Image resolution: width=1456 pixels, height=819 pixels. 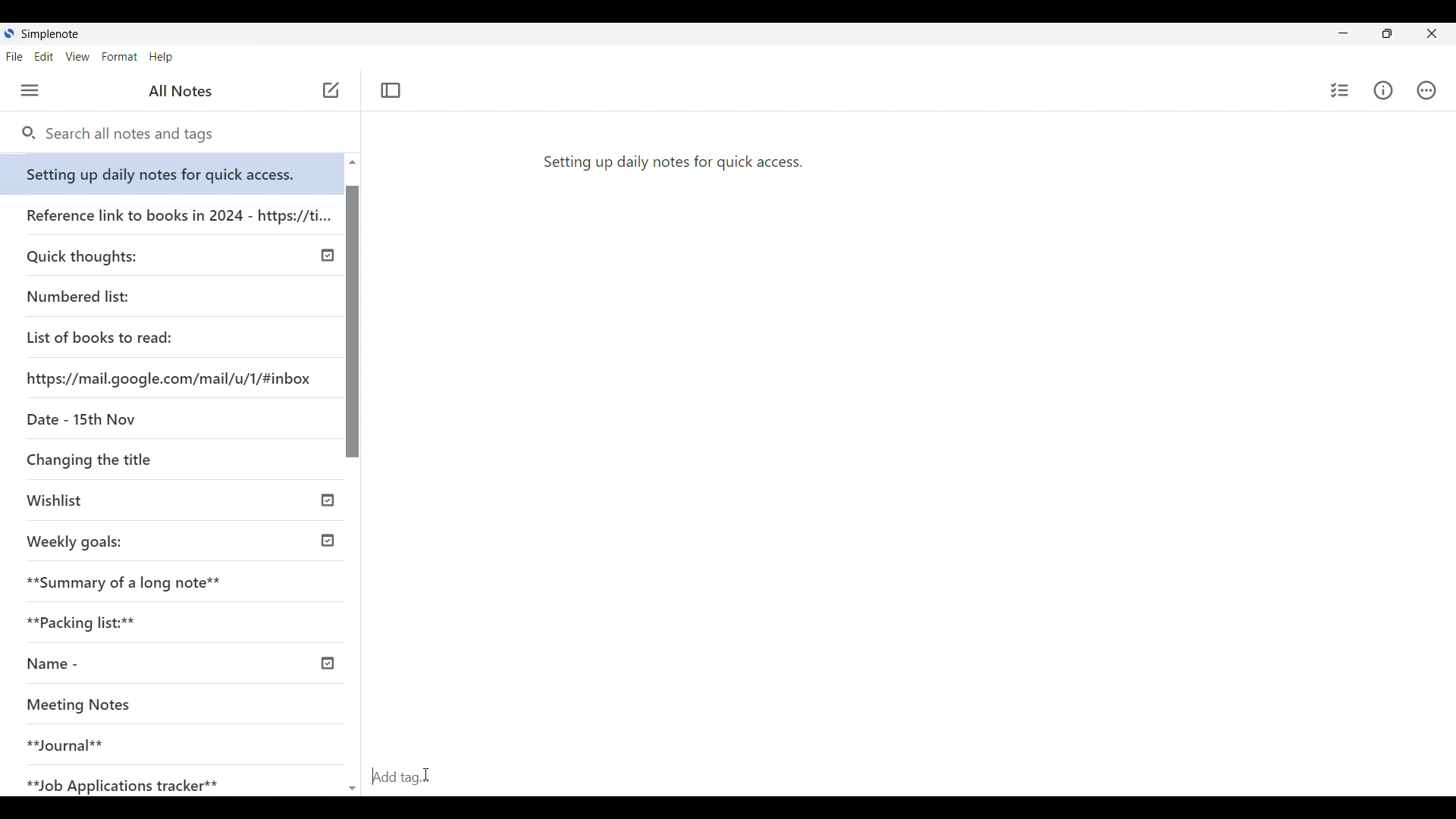 What do you see at coordinates (174, 170) in the screenshot?
I see `Setting up daily notes for quick access` at bounding box center [174, 170].